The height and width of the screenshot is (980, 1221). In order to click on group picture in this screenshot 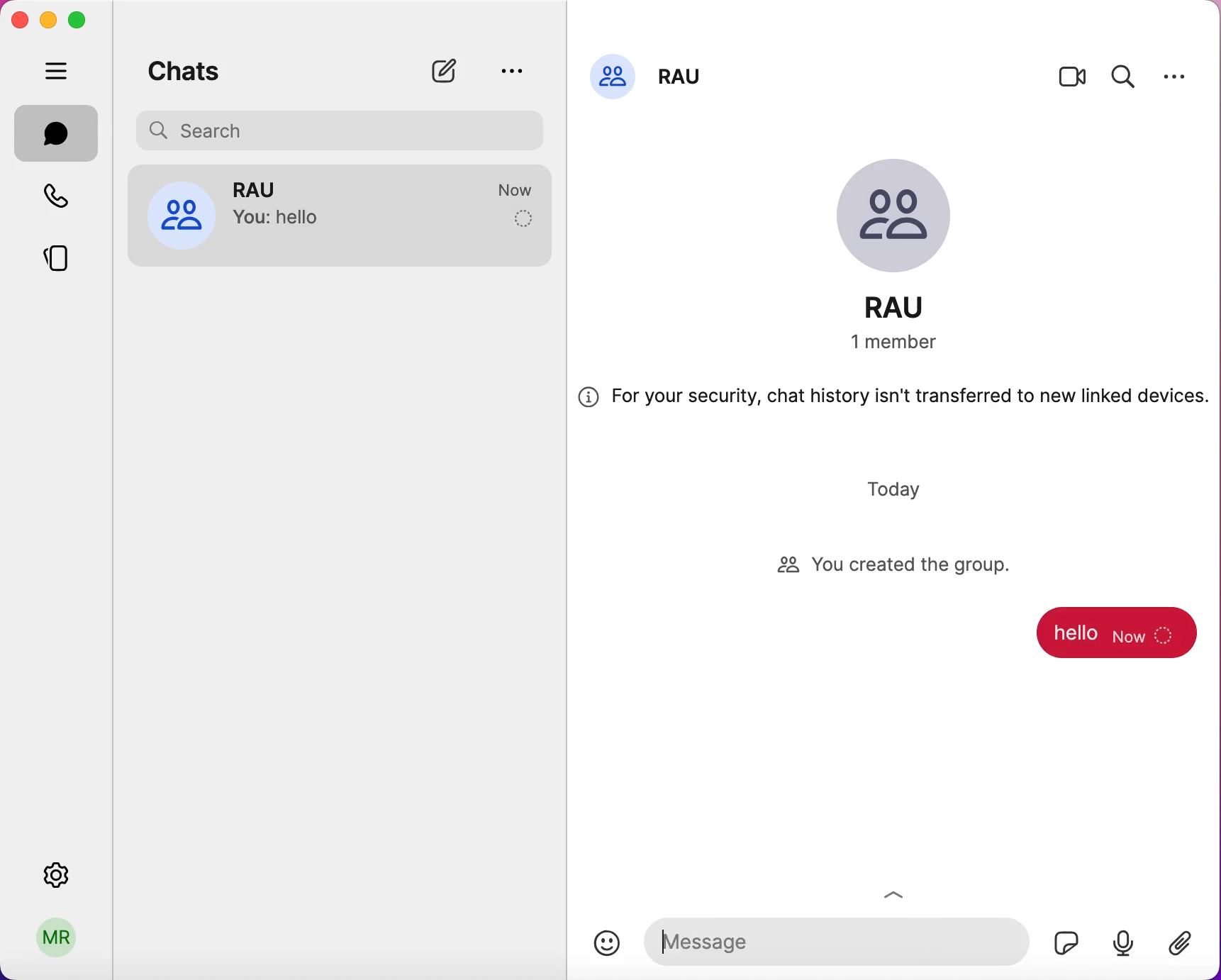, I will do `click(906, 219)`.